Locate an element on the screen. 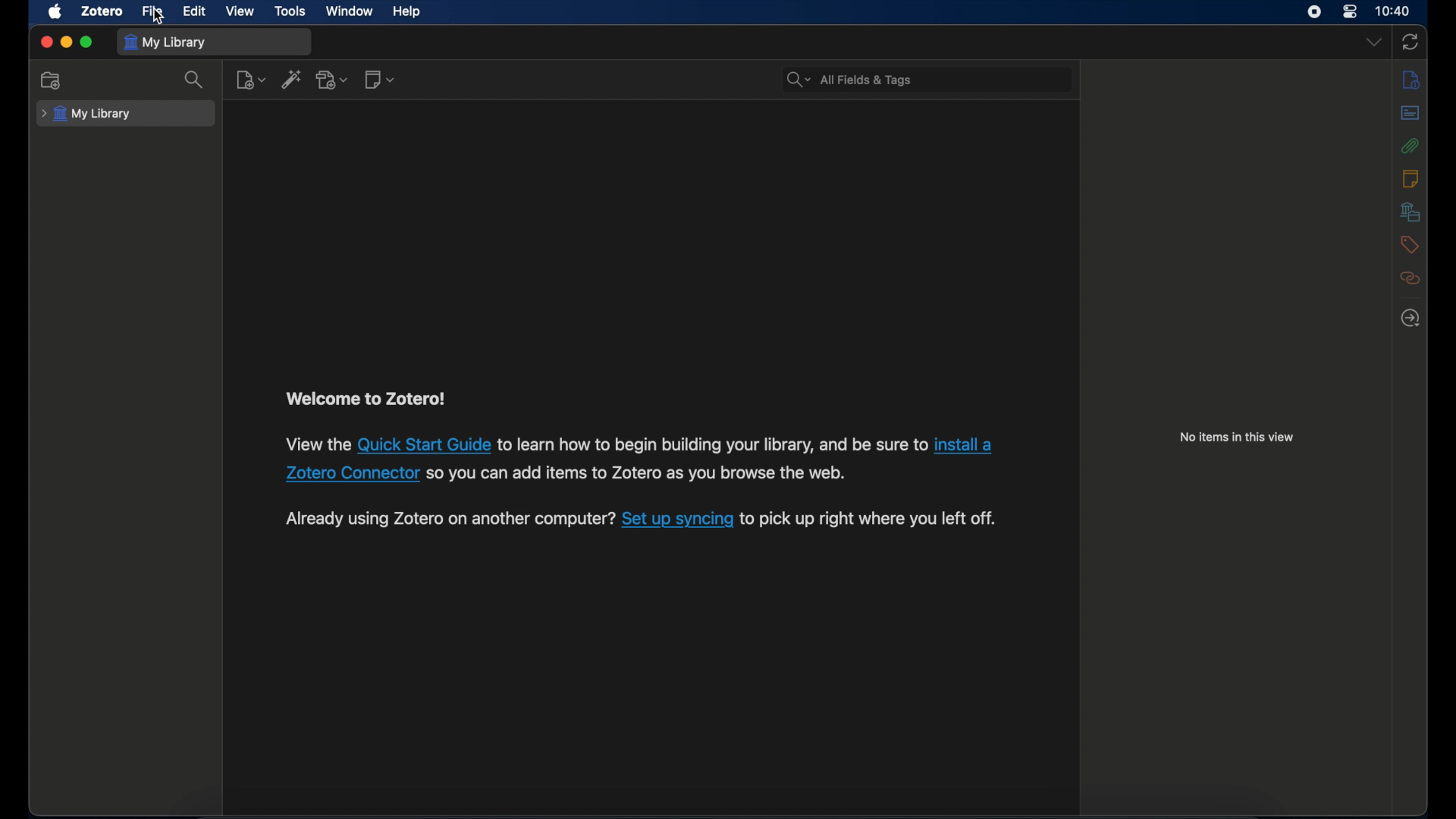  Quick Start Guide is located at coordinates (425, 446).